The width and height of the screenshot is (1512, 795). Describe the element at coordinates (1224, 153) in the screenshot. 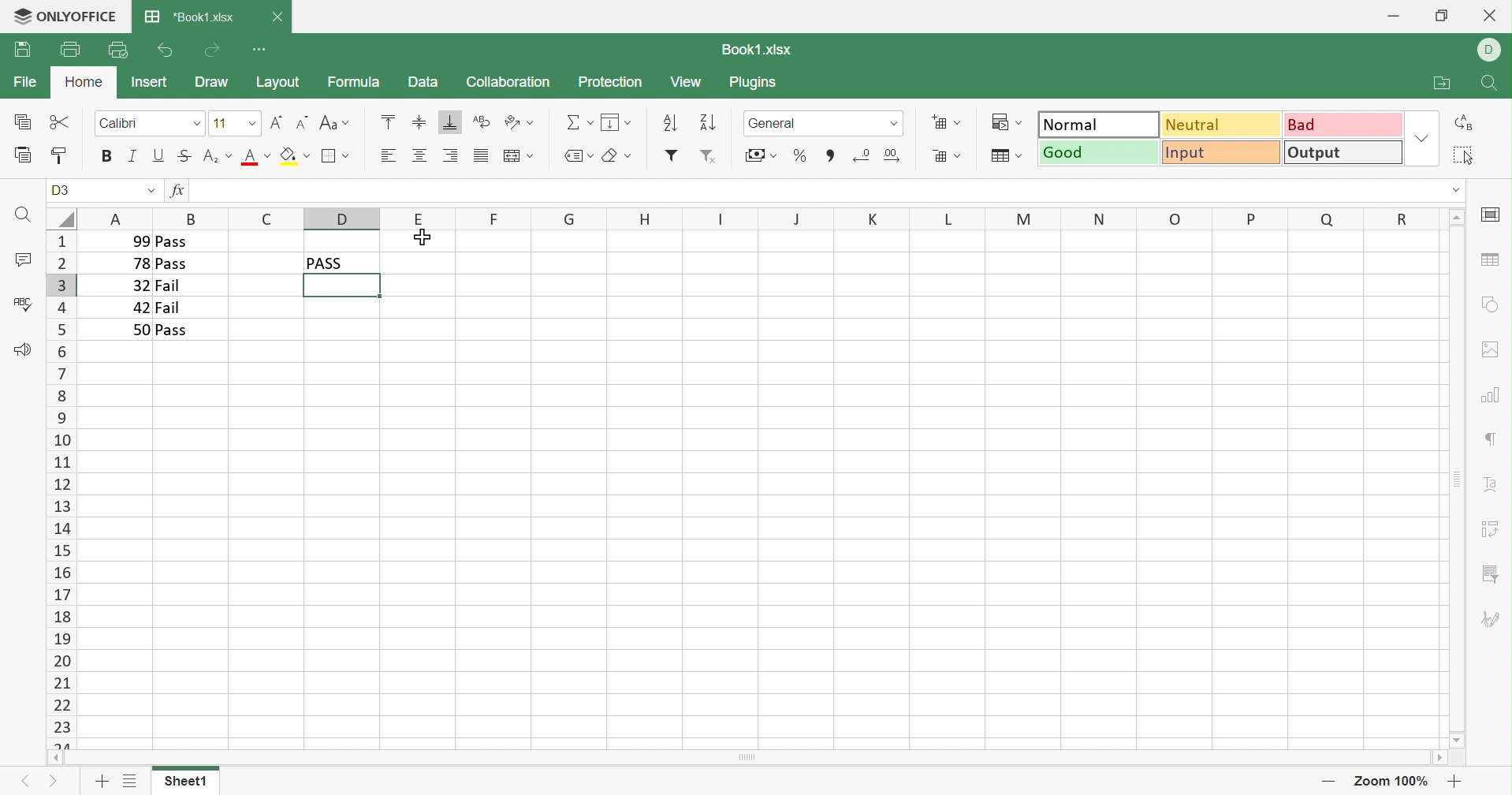

I see `Input` at that location.